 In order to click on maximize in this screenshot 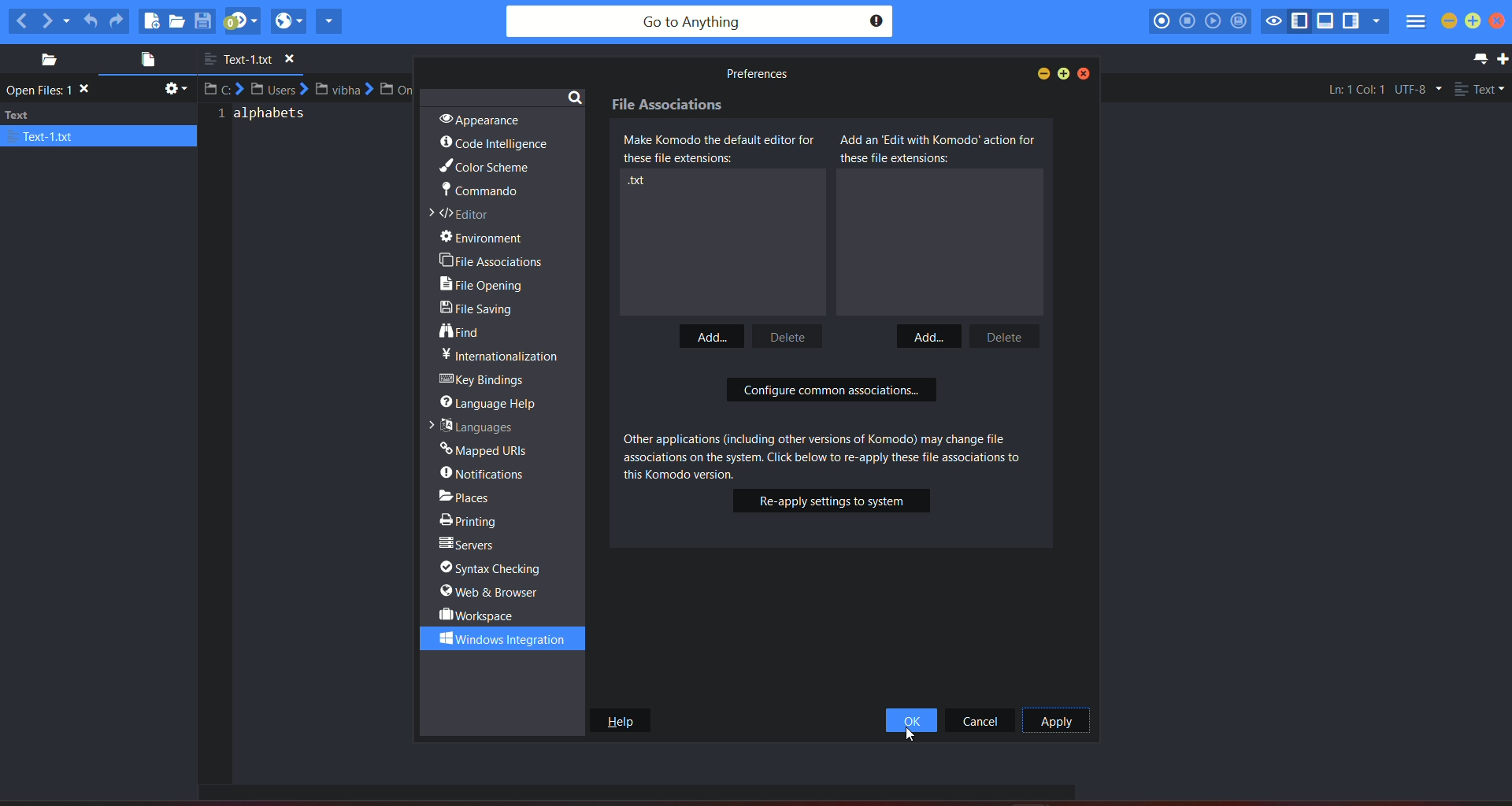, I will do `click(1473, 21)`.